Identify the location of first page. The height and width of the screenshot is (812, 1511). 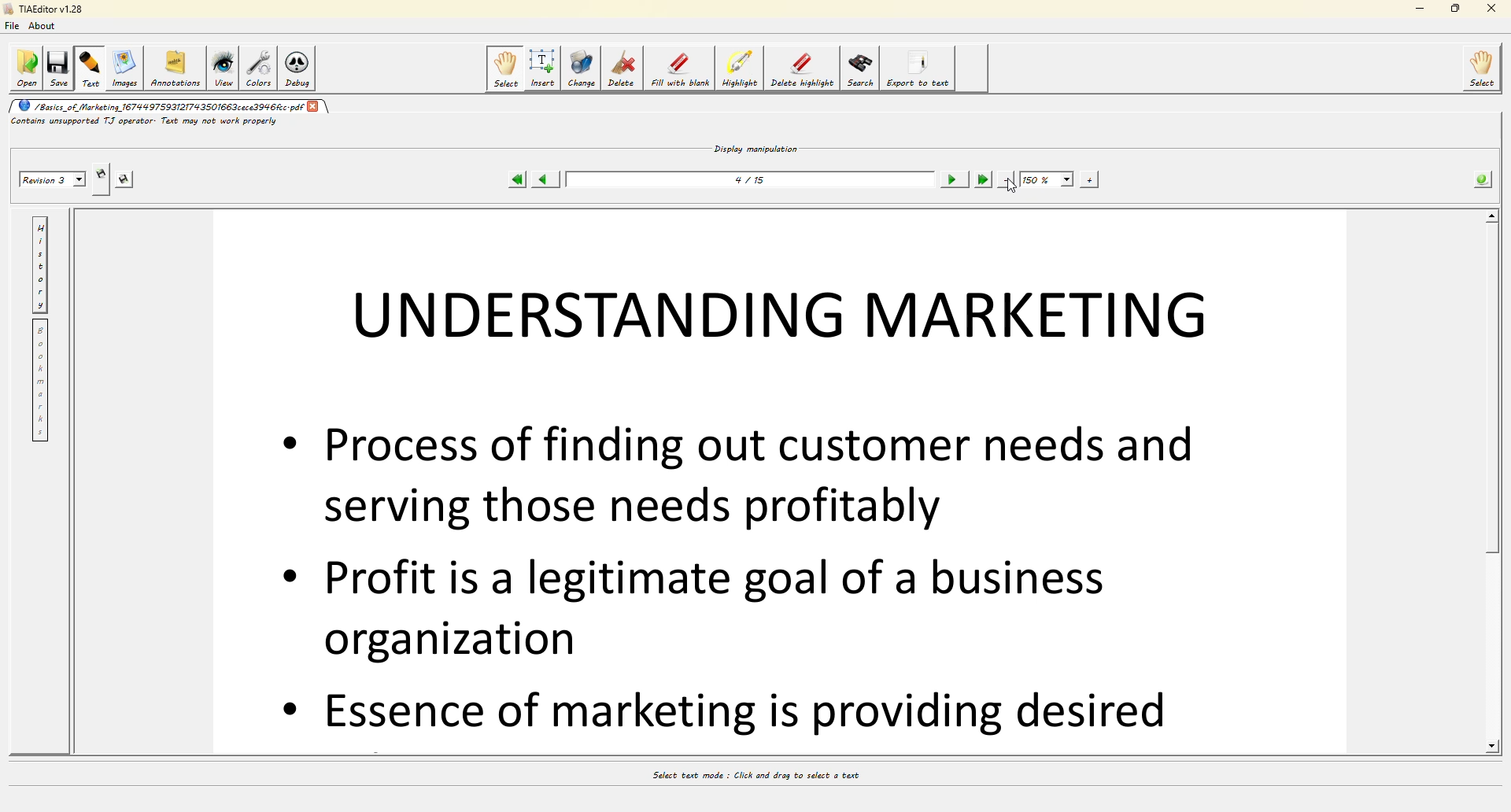
(515, 179).